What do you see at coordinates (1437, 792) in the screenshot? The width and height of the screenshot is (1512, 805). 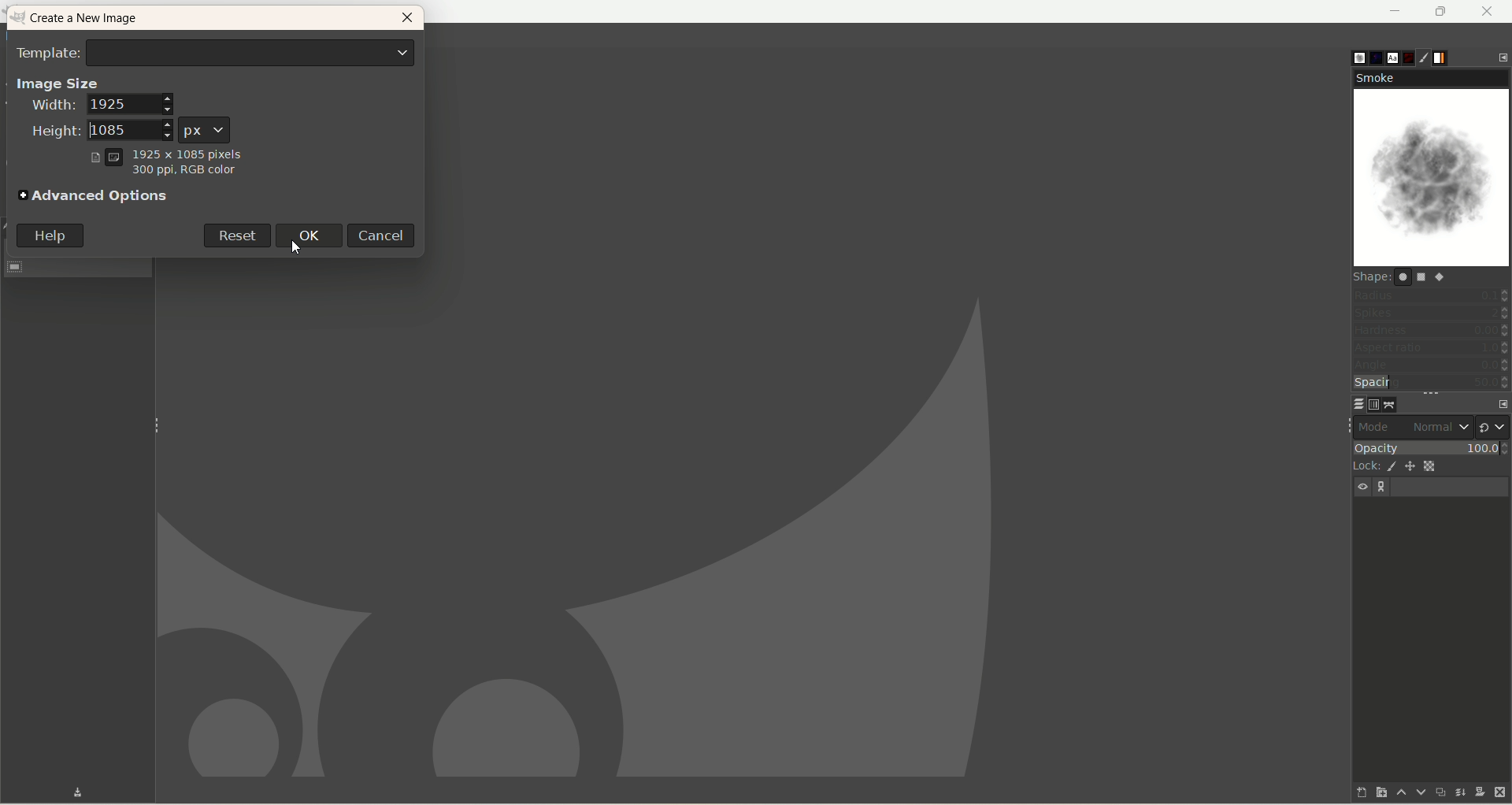 I see `duplicate layer` at bounding box center [1437, 792].